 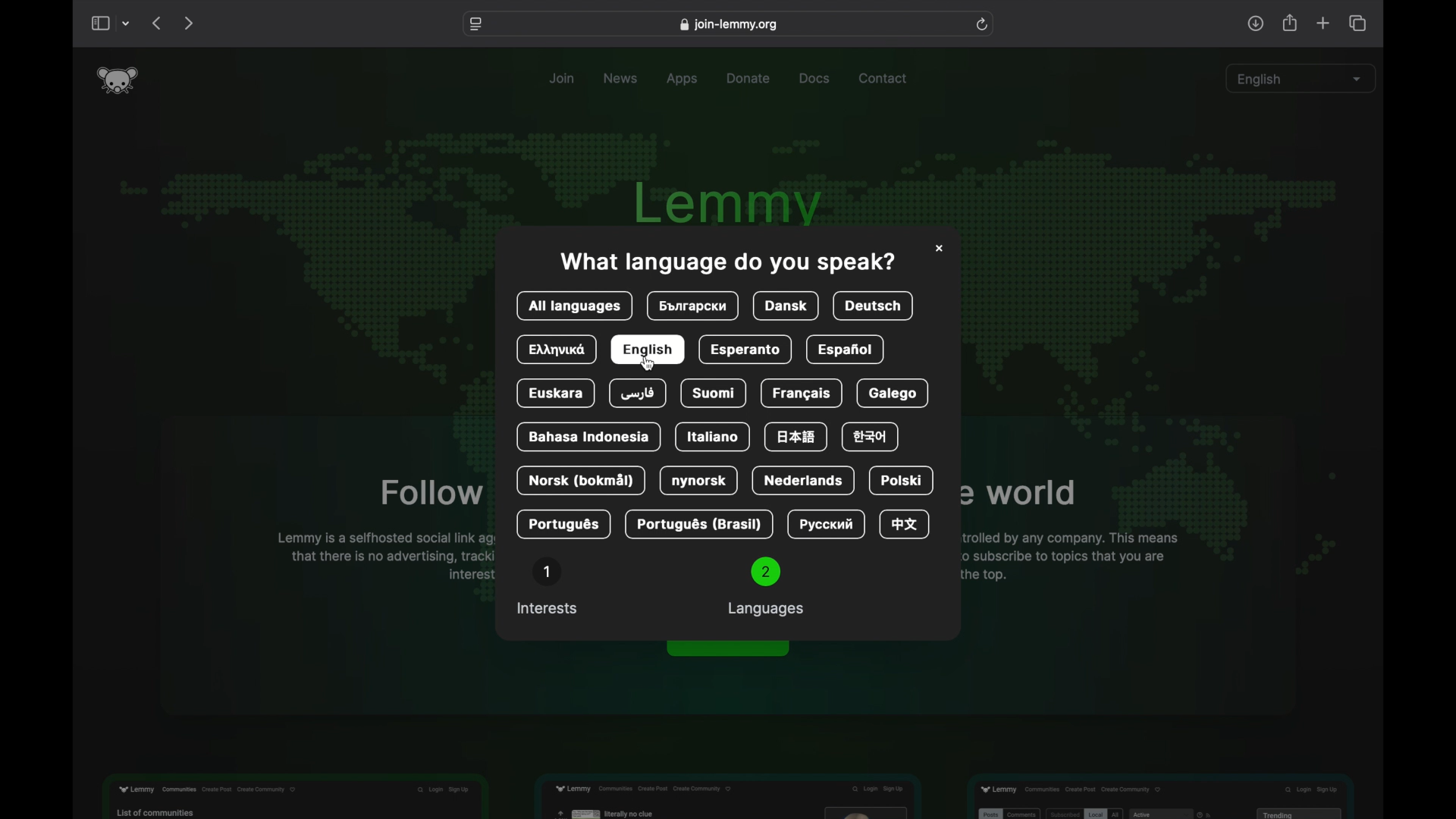 What do you see at coordinates (714, 393) in the screenshot?
I see `suomi` at bounding box center [714, 393].